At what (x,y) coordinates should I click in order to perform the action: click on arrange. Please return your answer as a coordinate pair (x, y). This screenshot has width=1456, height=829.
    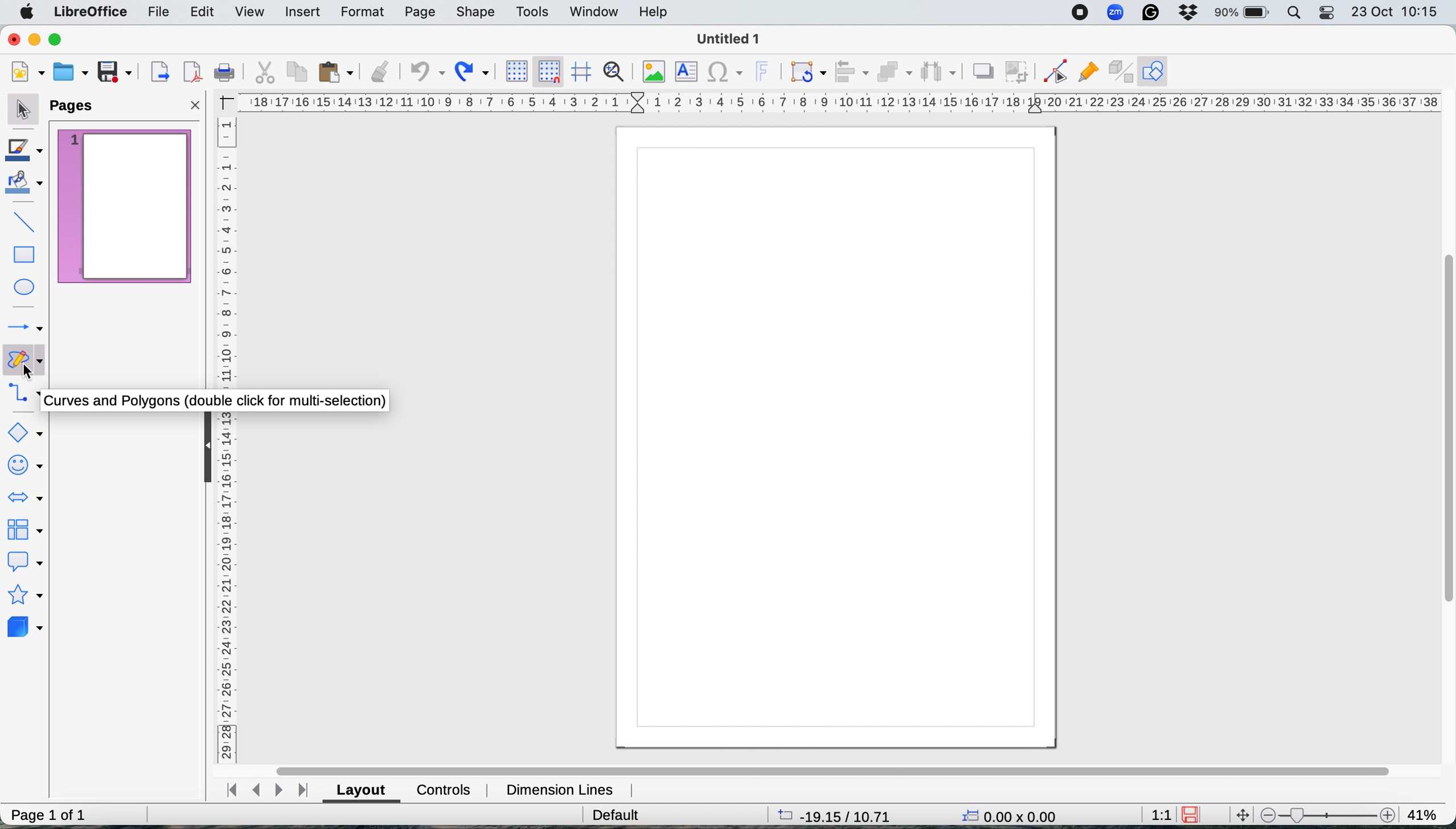
    Looking at the image, I should click on (894, 73).